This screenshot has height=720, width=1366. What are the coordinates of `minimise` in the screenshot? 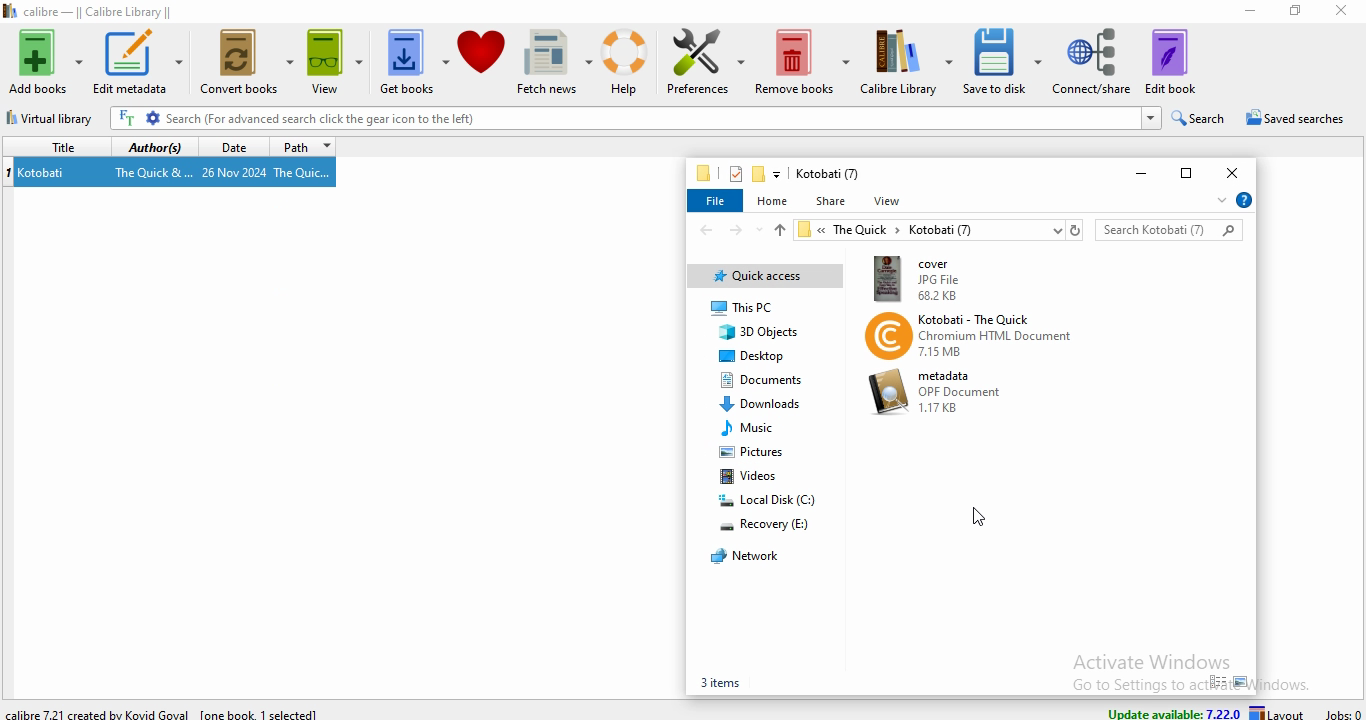 It's located at (1135, 175).